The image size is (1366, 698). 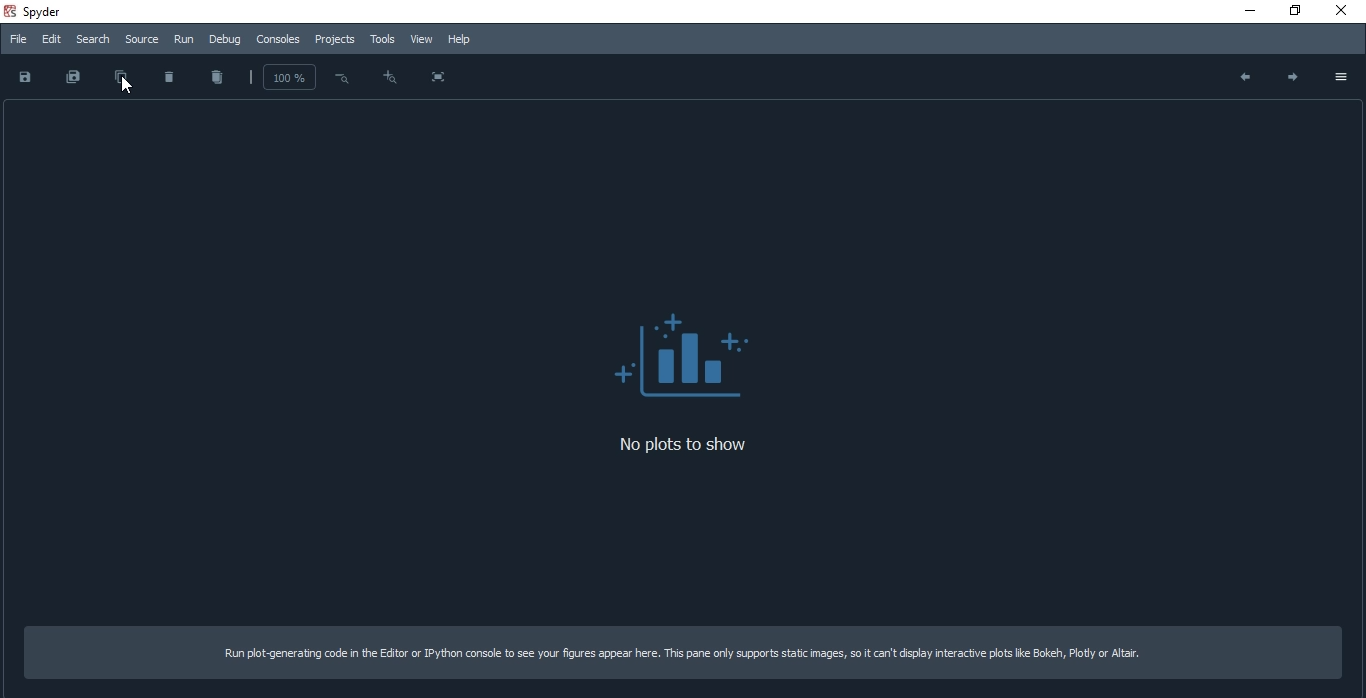 I want to click on Search, so click(x=93, y=39).